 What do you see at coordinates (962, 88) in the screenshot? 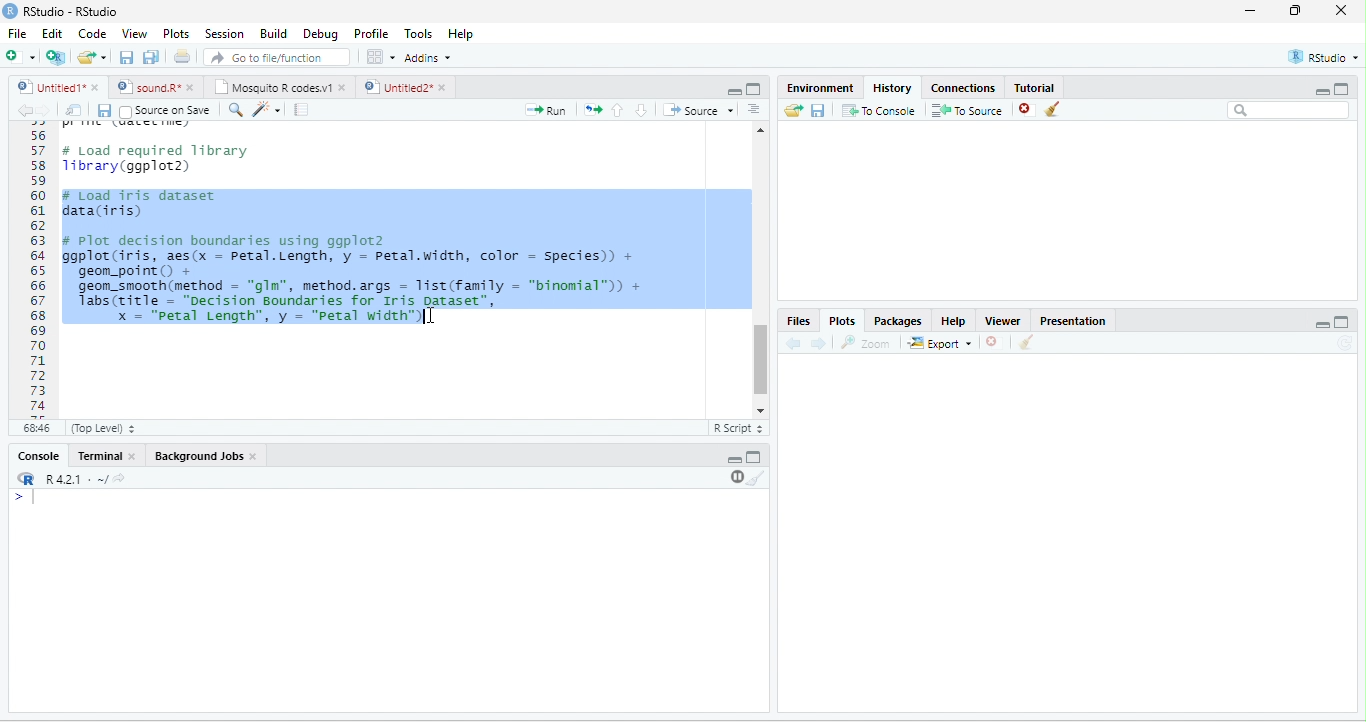
I see `Connections` at bounding box center [962, 88].